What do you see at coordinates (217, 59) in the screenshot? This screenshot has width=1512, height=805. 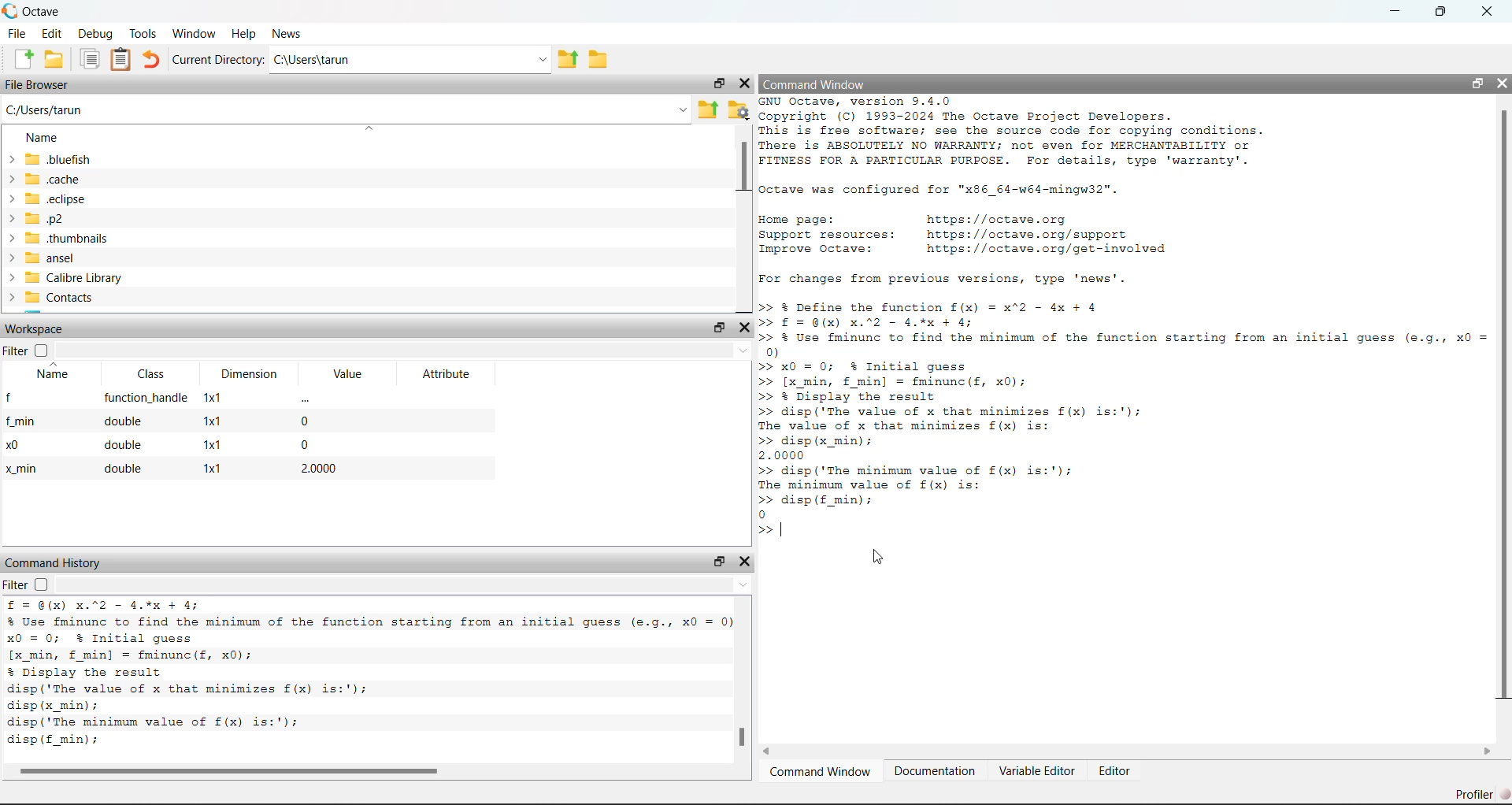 I see `Current Directory` at bounding box center [217, 59].